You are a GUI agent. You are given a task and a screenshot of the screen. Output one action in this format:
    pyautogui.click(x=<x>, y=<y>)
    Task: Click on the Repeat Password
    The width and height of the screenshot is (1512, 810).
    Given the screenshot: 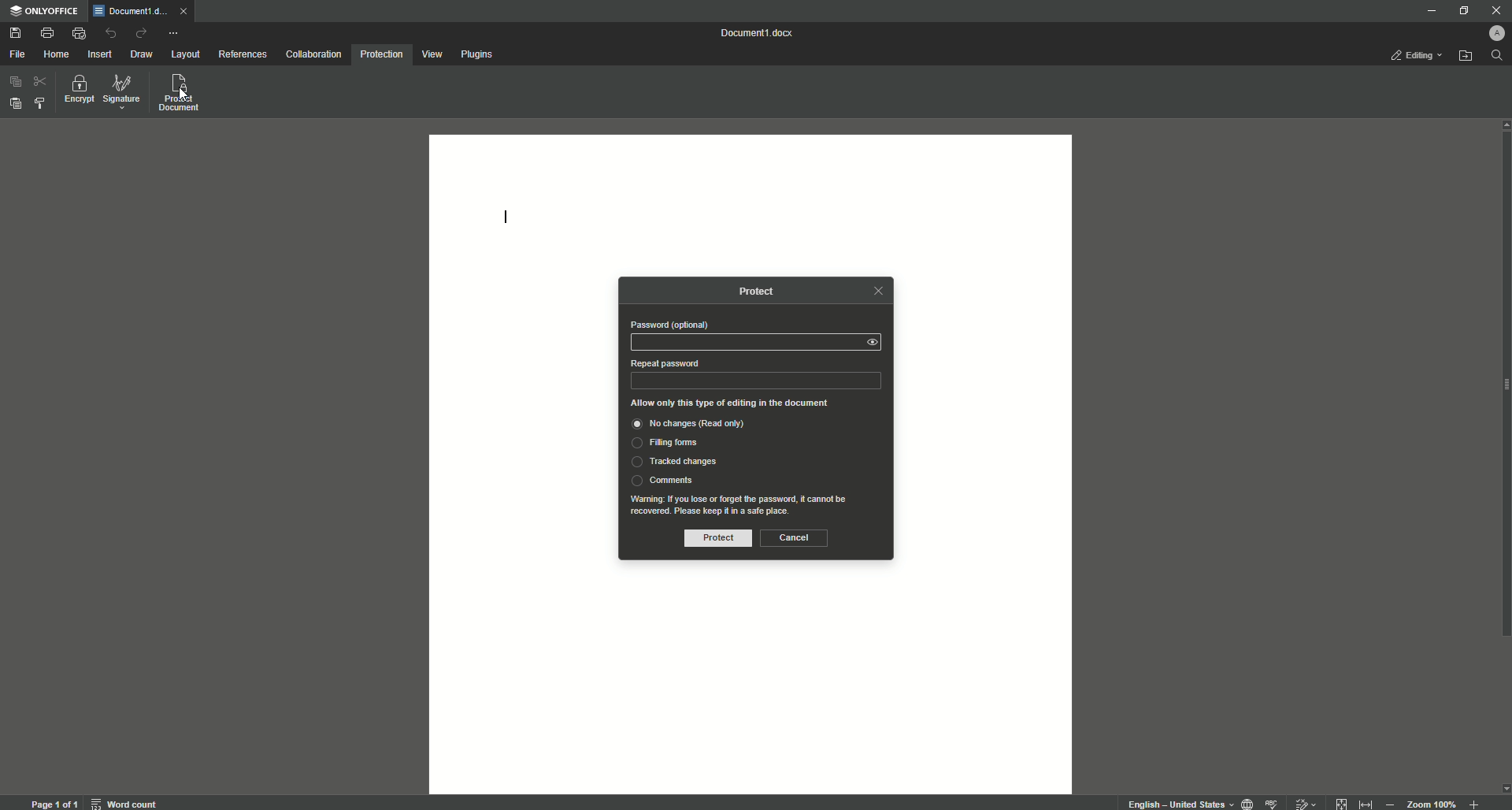 What is the action you would take?
    pyautogui.click(x=664, y=363)
    